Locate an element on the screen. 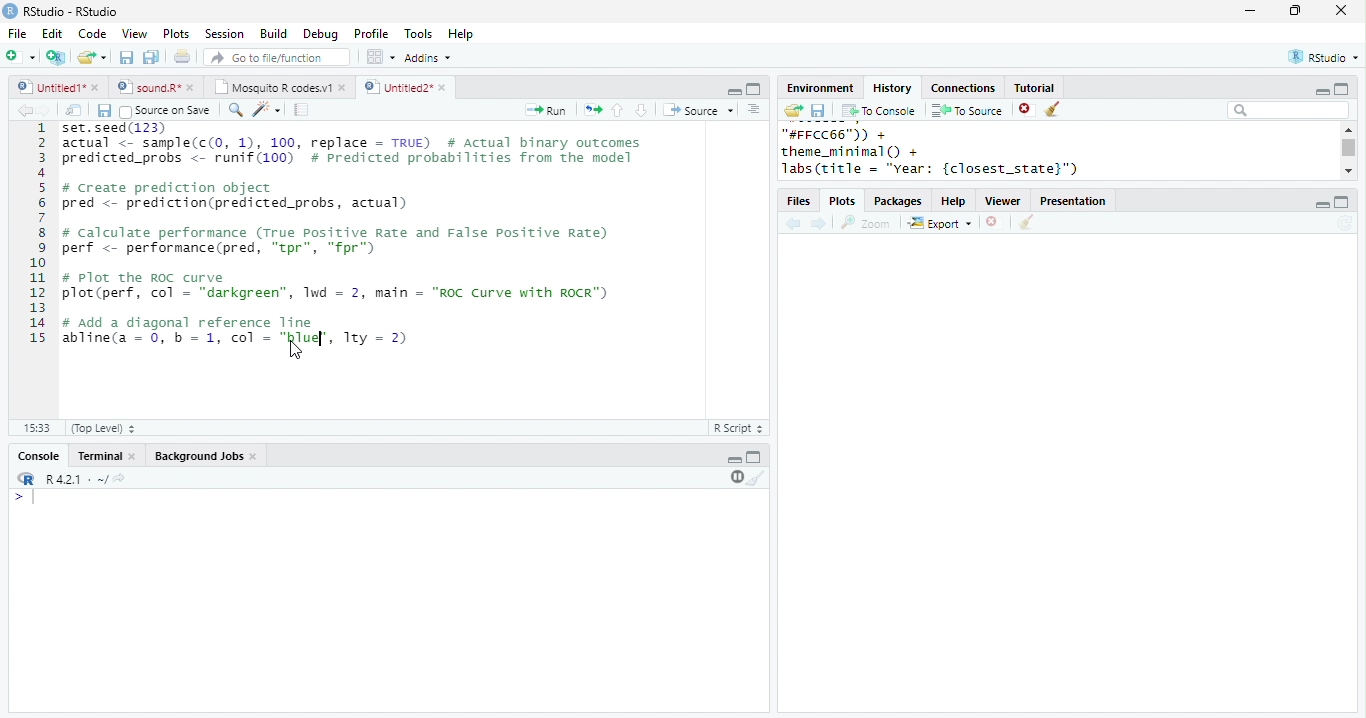  help is located at coordinates (954, 202).